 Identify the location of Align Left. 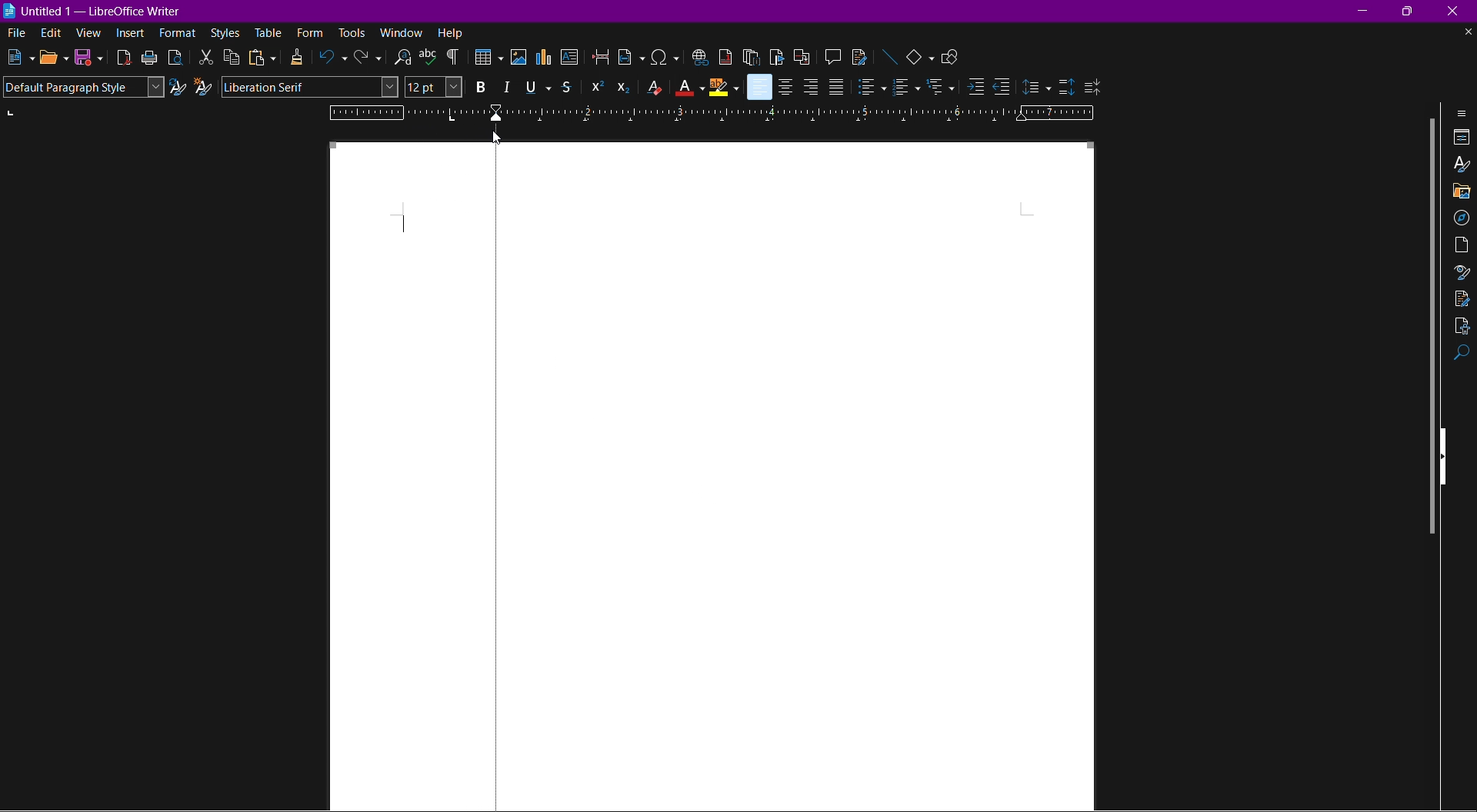
(759, 87).